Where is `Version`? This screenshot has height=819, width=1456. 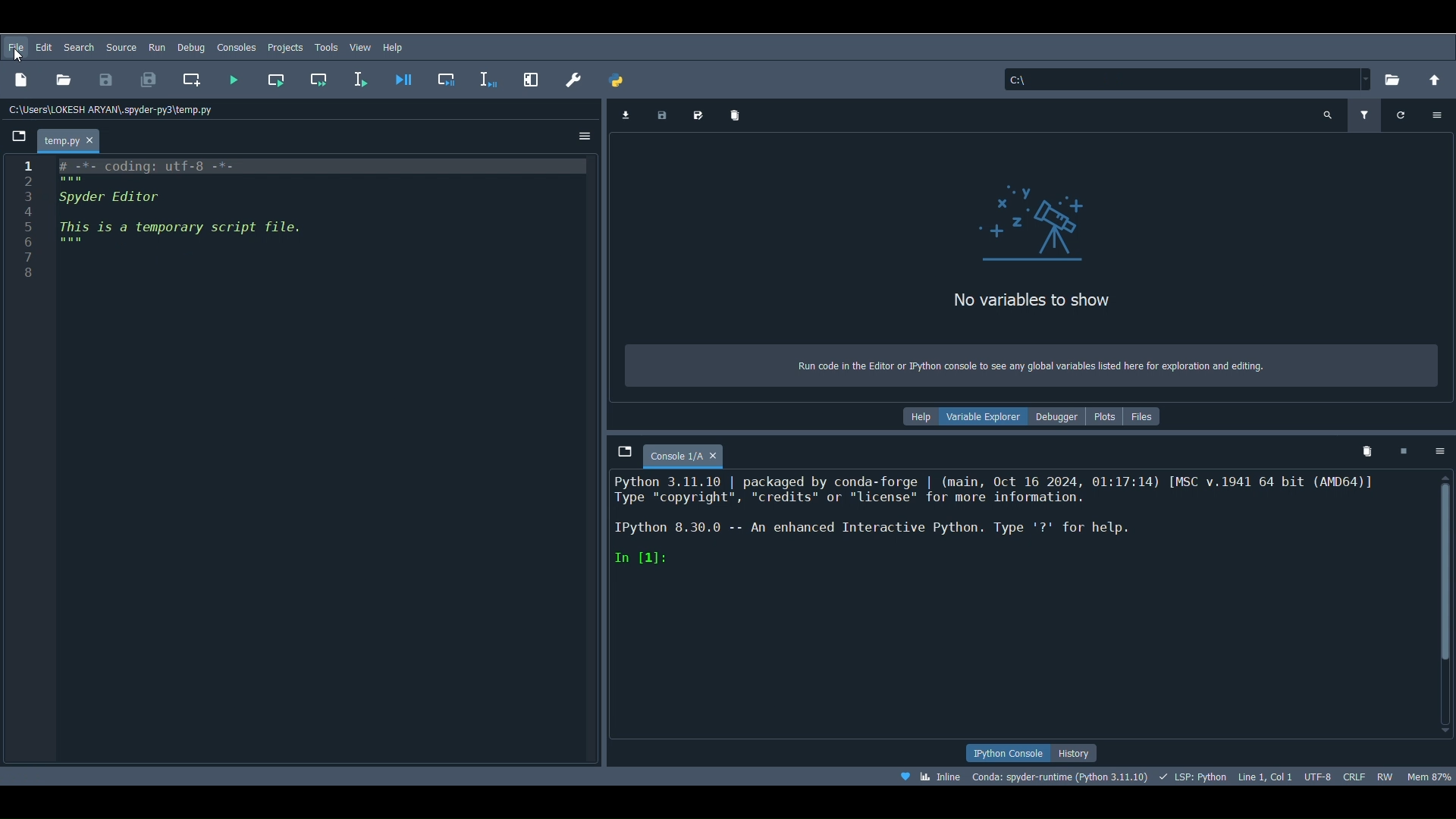
Version is located at coordinates (1061, 777).